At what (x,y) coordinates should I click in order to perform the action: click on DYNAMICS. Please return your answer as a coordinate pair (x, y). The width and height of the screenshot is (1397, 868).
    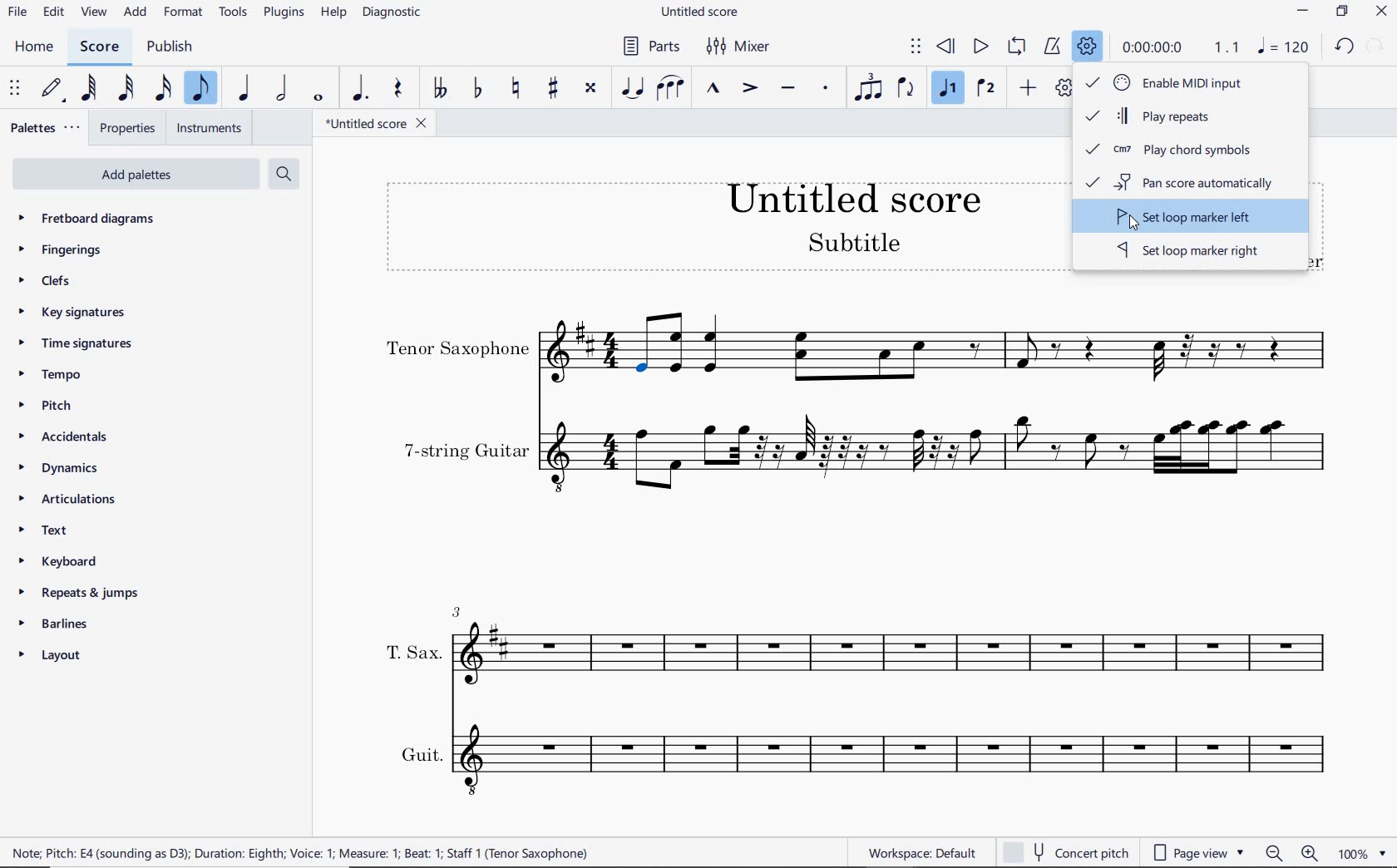
    Looking at the image, I should click on (55, 468).